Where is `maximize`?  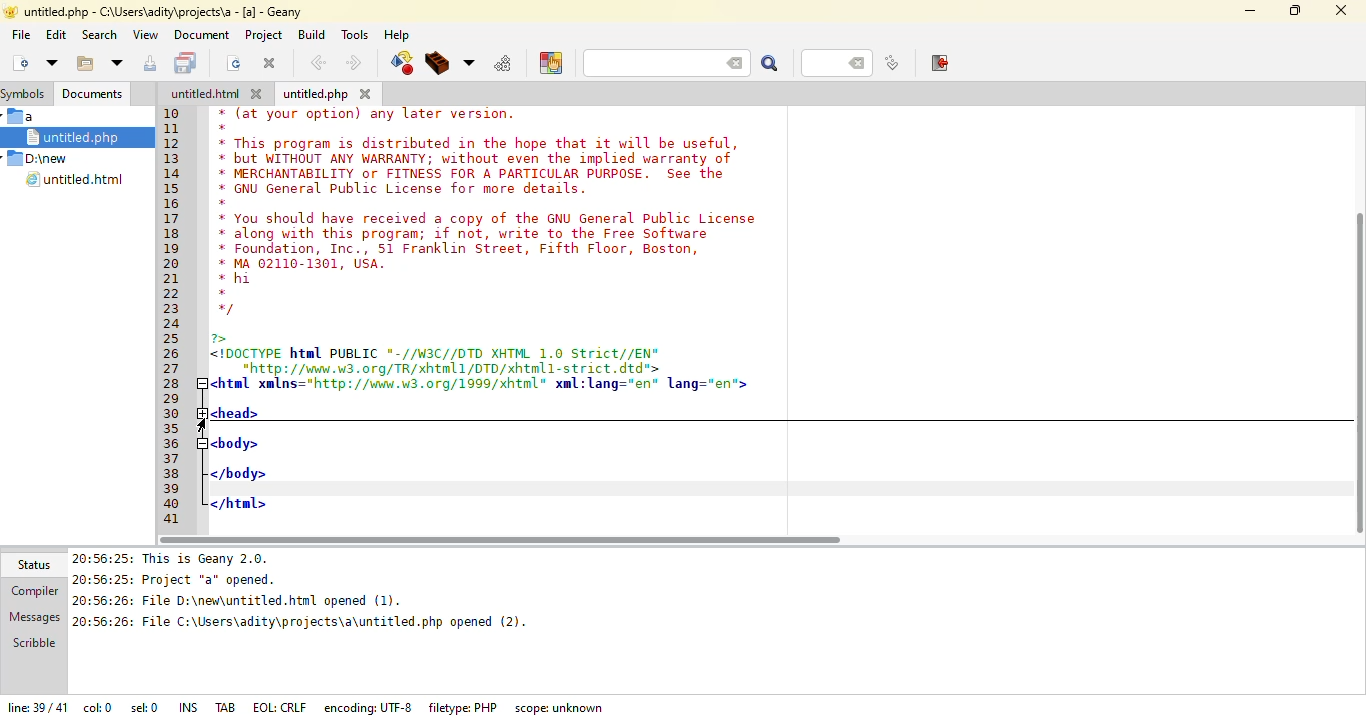 maximize is located at coordinates (1295, 9).